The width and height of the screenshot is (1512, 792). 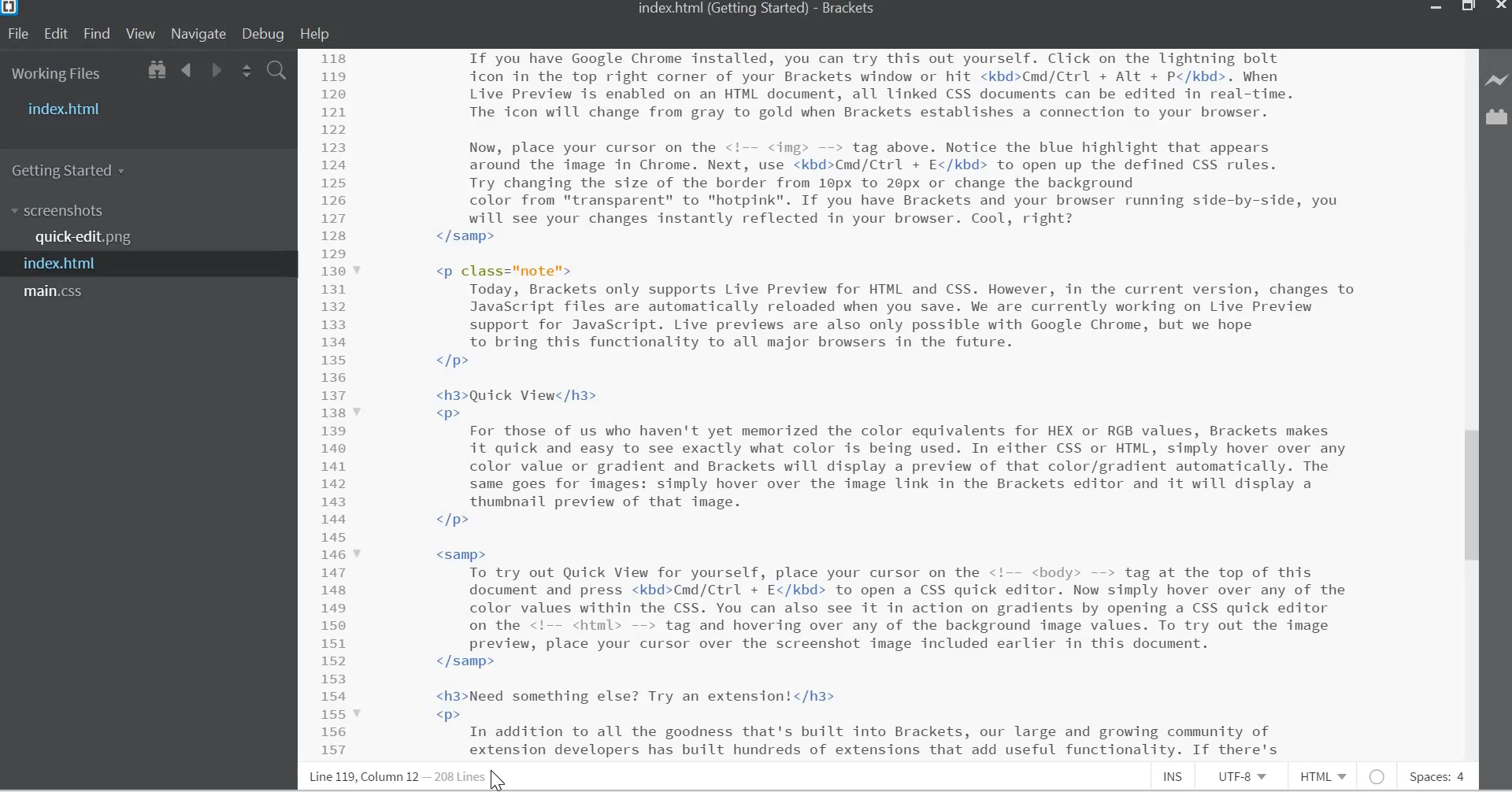 What do you see at coordinates (317, 35) in the screenshot?
I see `Help` at bounding box center [317, 35].